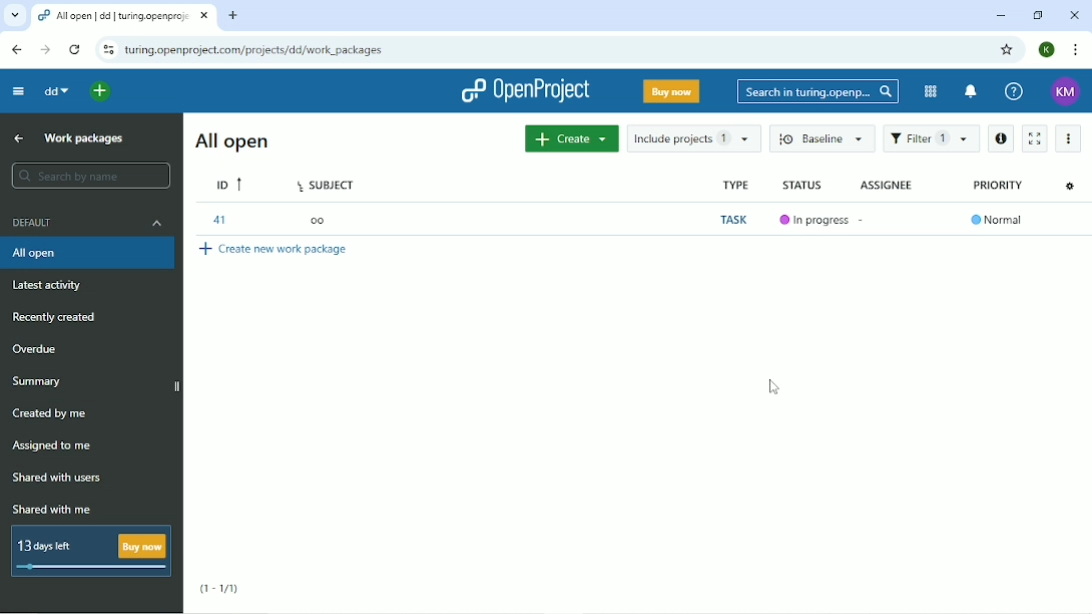  What do you see at coordinates (15, 15) in the screenshot?
I see `Search tabs` at bounding box center [15, 15].